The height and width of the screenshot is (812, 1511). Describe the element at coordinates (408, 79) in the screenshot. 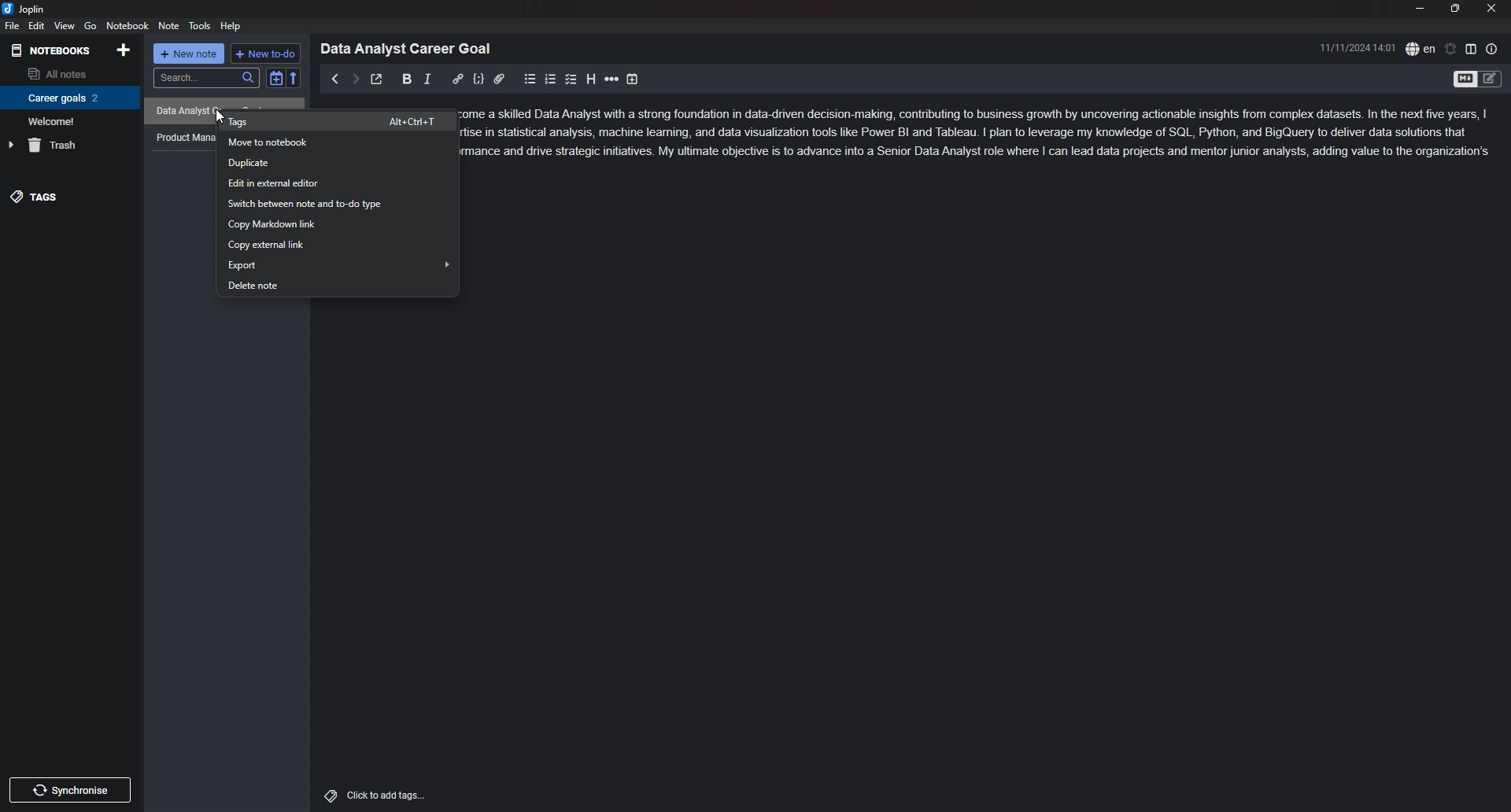

I see `bold` at that location.